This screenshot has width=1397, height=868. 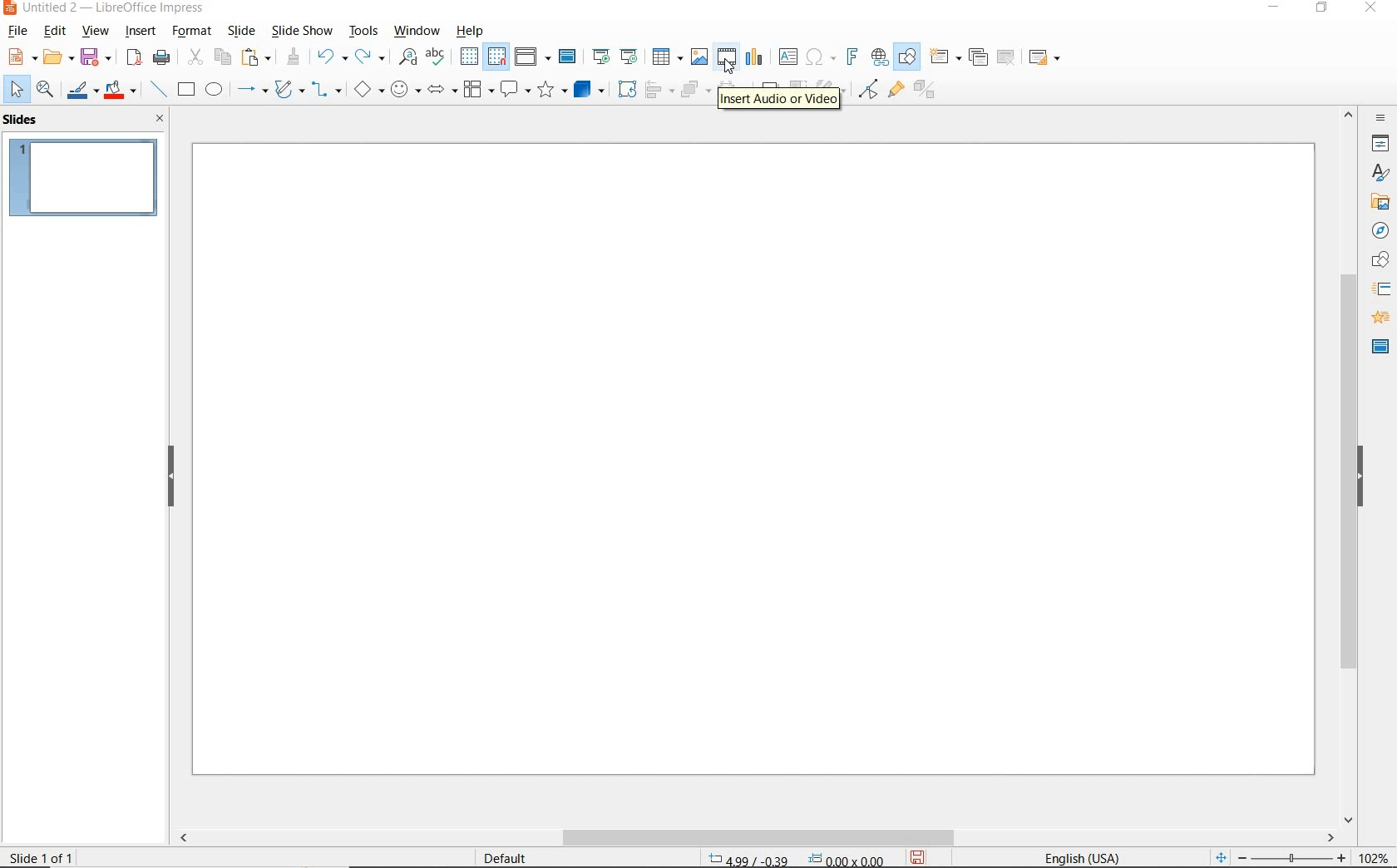 I want to click on PRINT, so click(x=163, y=58).